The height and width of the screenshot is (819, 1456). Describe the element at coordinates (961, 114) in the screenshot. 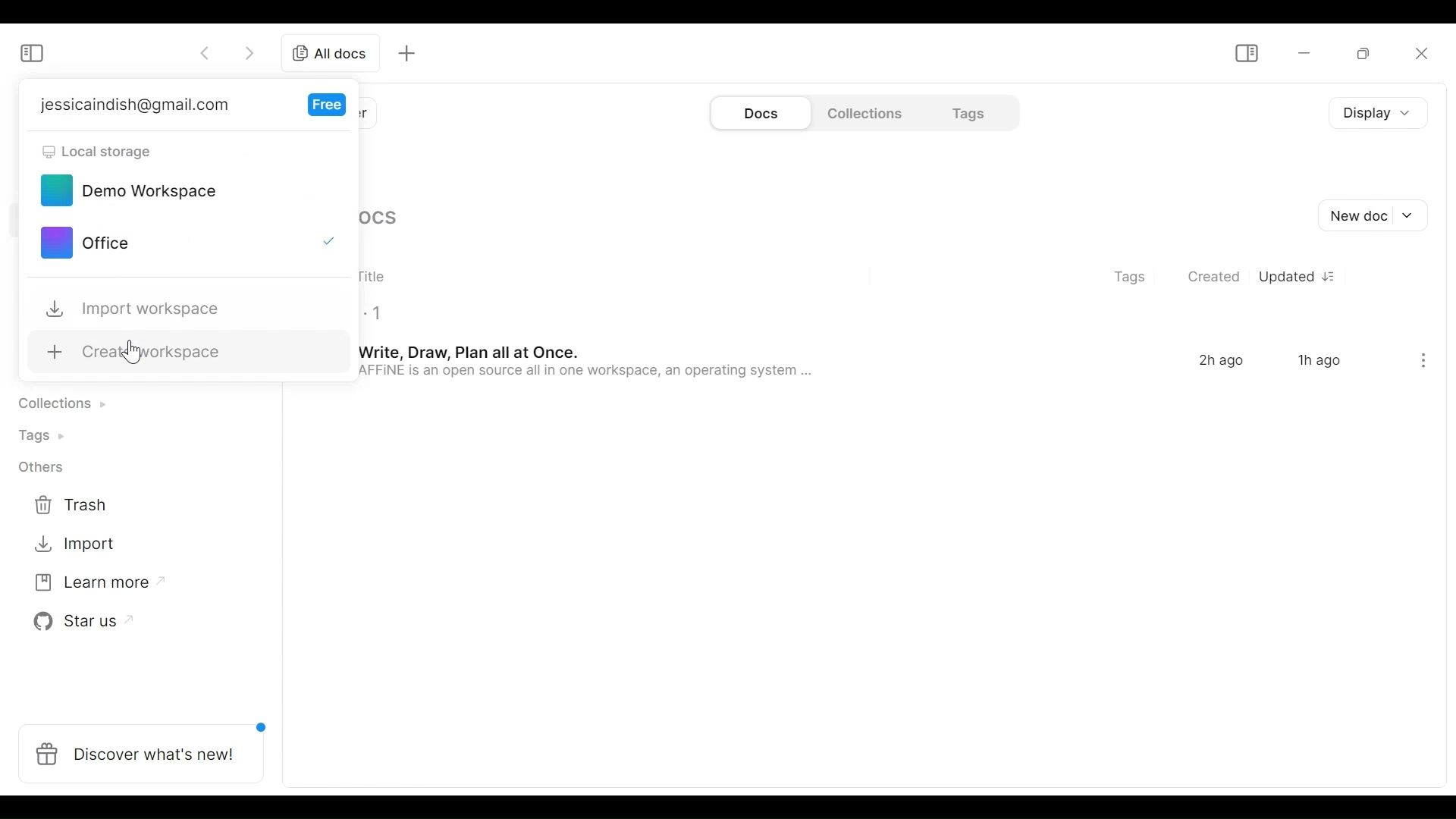

I see `Tags` at that location.